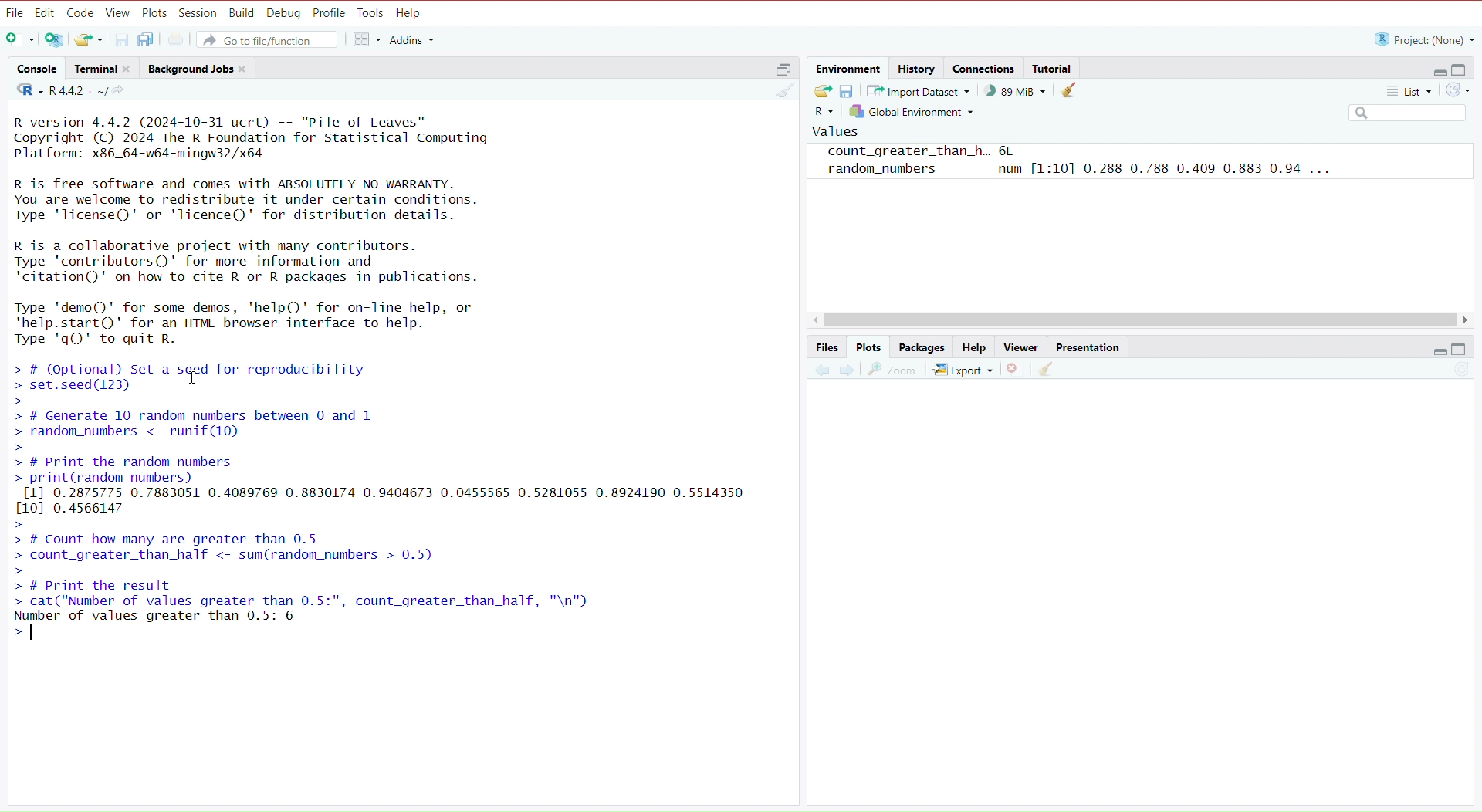 This screenshot has height=812, width=1482. What do you see at coordinates (921, 347) in the screenshot?
I see `Packages` at bounding box center [921, 347].